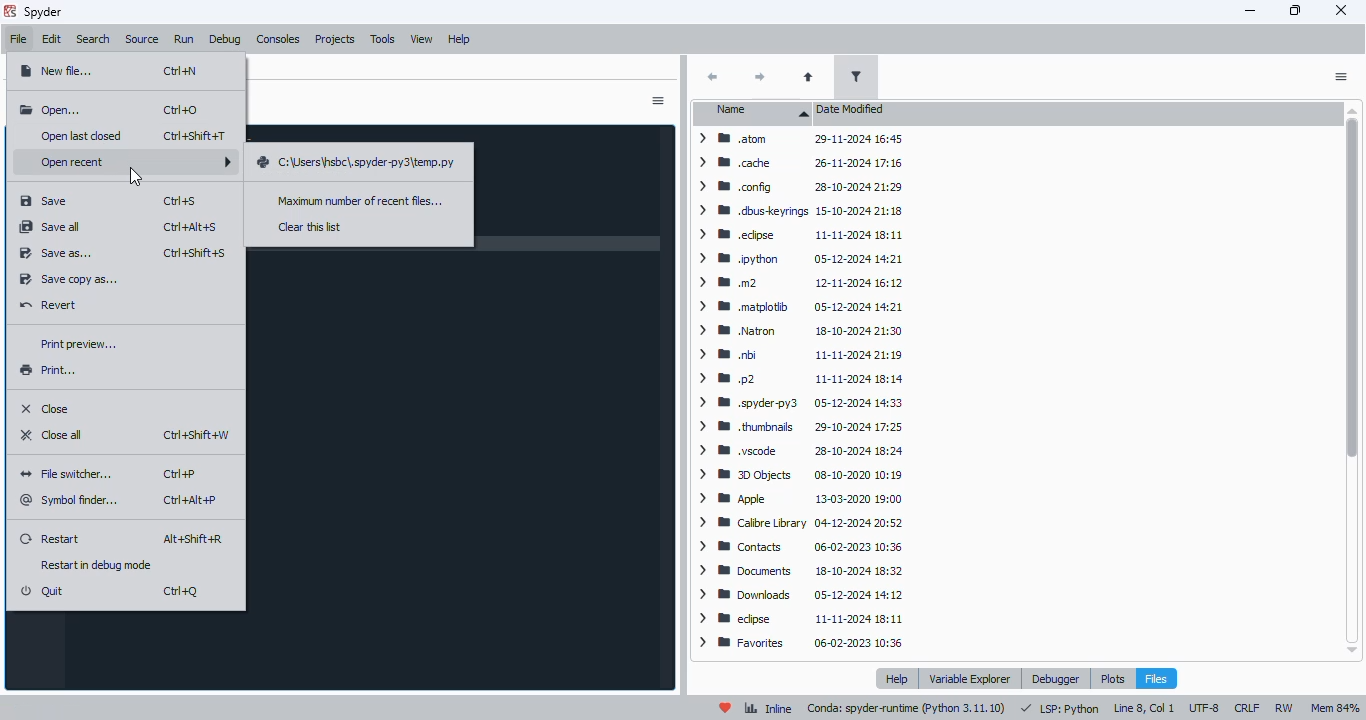  What do you see at coordinates (51, 40) in the screenshot?
I see `edit` at bounding box center [51, 40].